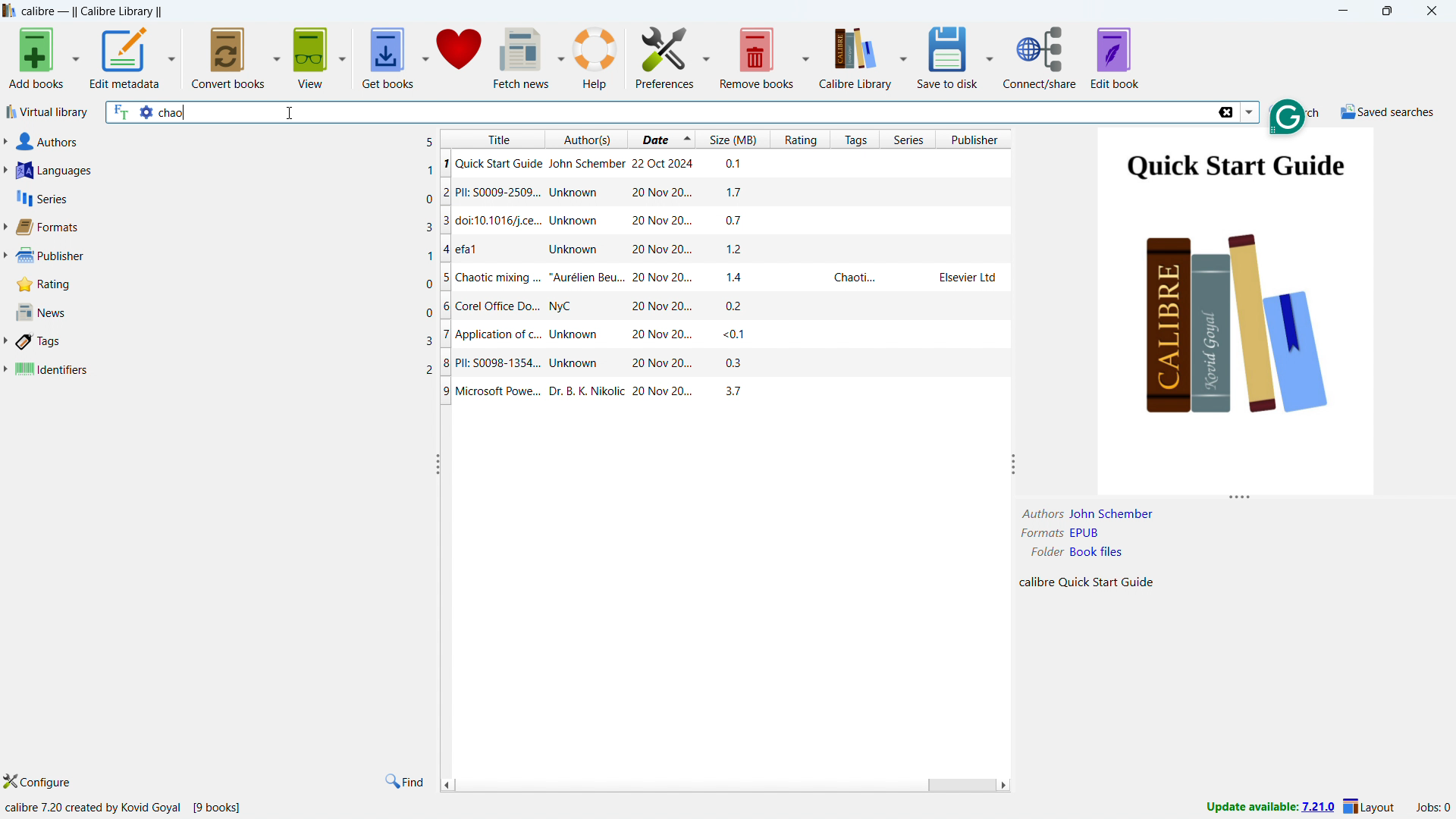 The image size is (1456, 819). What do you see at coordinates (5, 369) in the screenshot?
I see `expand identifiers` at bounding box center [5, 369].